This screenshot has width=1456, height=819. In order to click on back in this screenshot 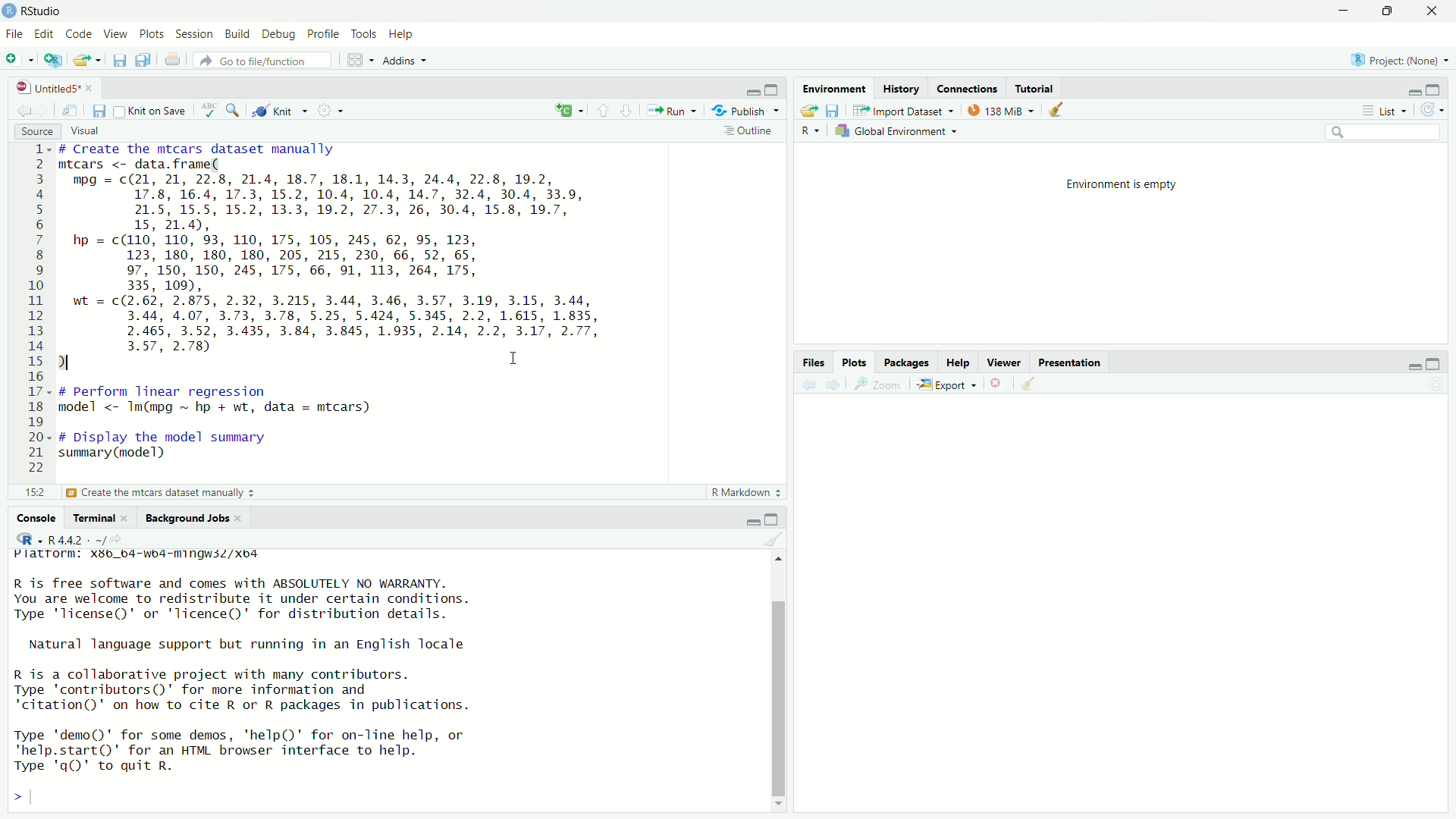, I will do `click(812, 384)`.